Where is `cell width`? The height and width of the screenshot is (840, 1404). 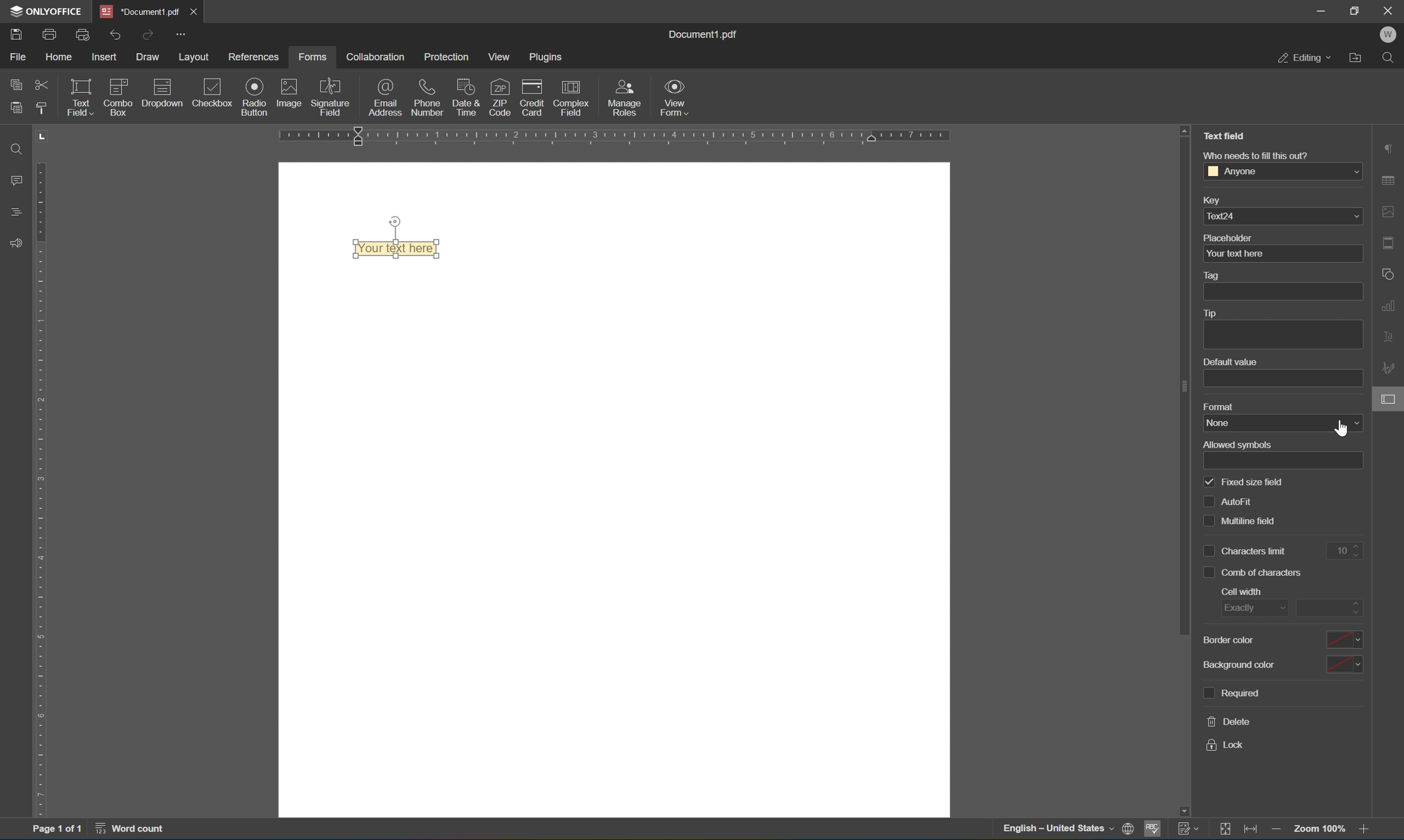
cell width is located at coordinates (1243, 592).